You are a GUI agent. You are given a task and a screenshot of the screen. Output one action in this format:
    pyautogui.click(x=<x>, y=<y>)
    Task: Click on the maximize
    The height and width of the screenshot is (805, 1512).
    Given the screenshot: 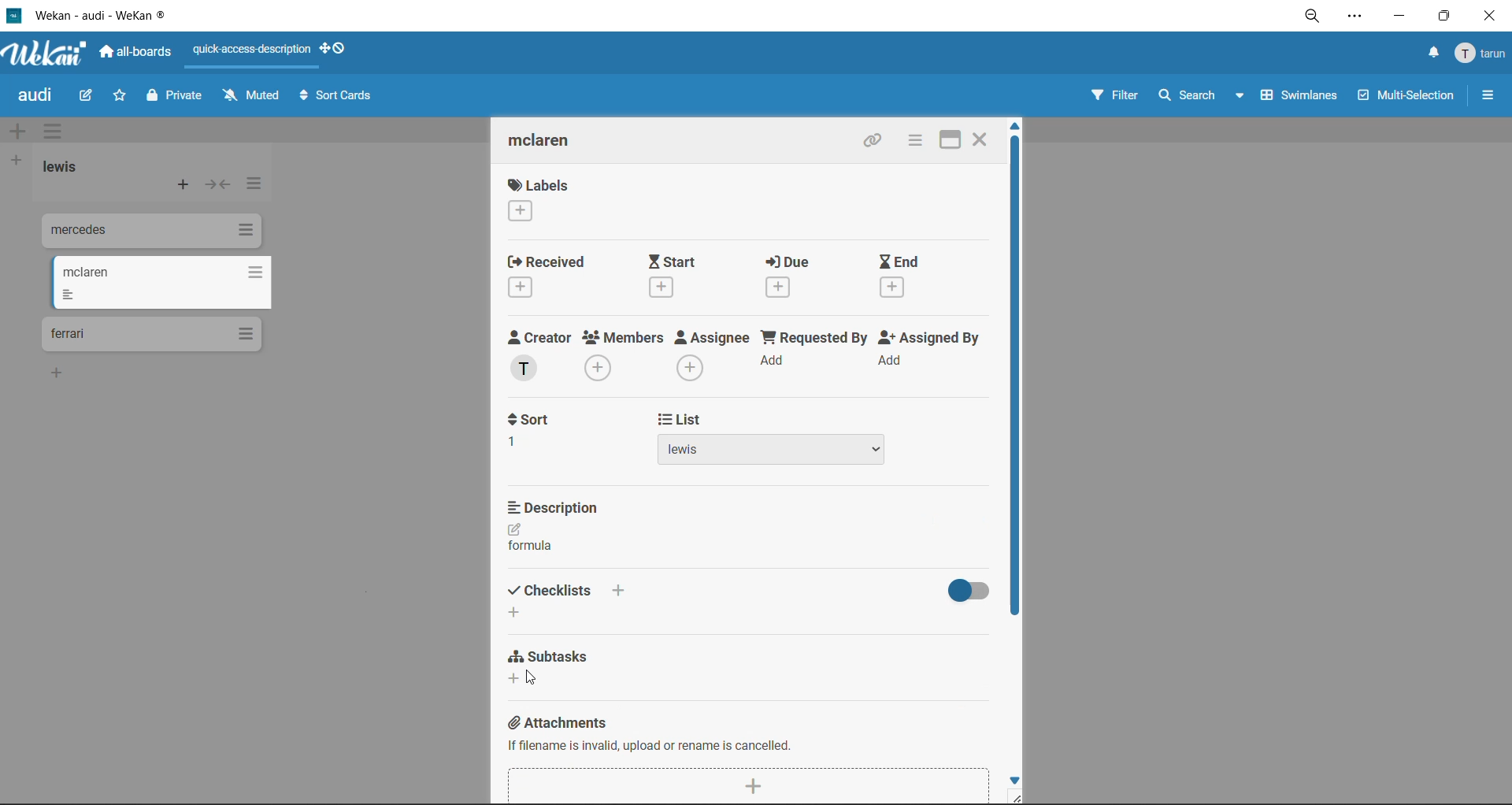 What is the action you would take?
    pyautogui.click(x=1448, y=15)
    